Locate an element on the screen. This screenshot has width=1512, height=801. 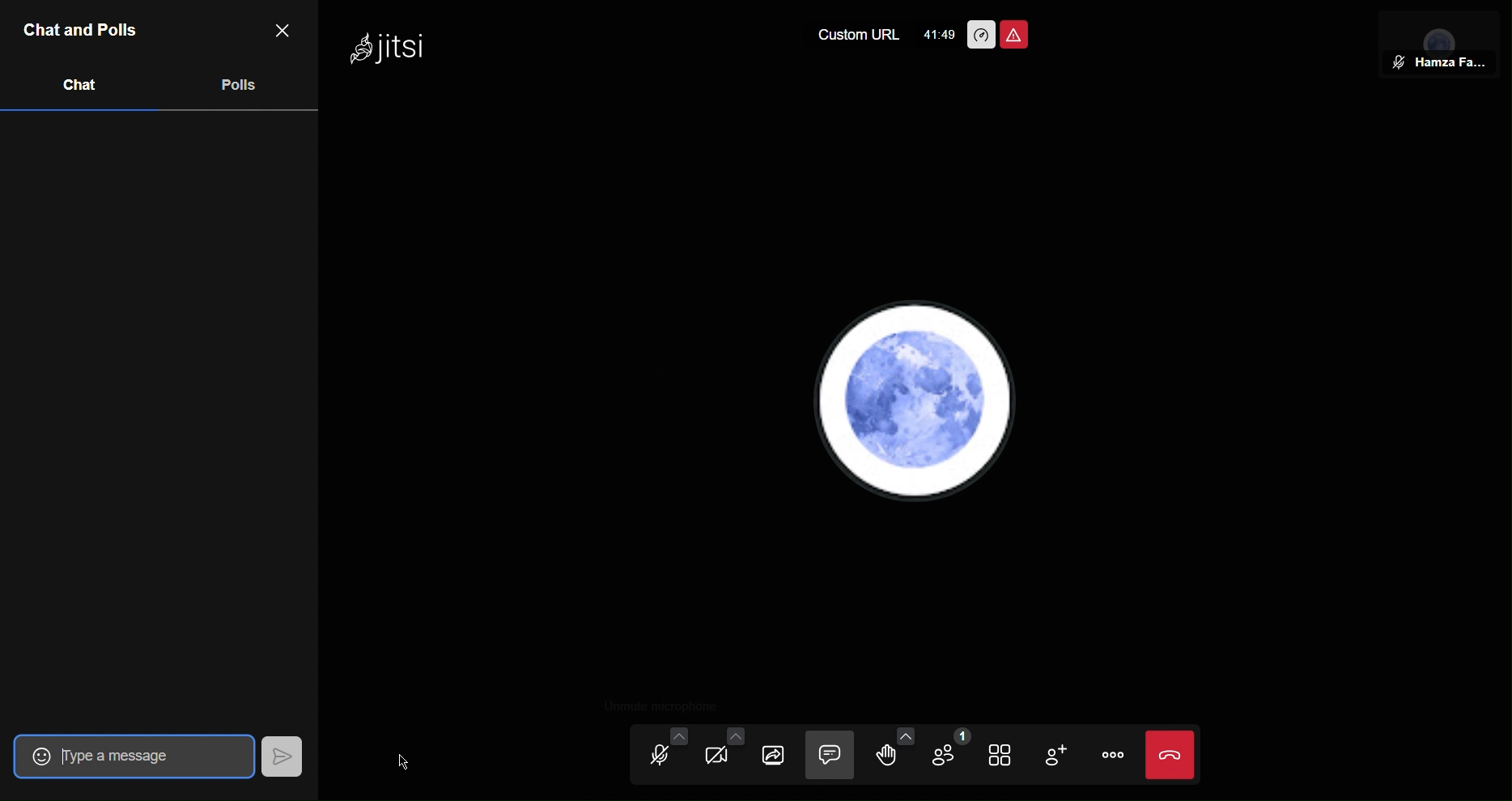
Add Participant is located at coordinates (1066, 757).